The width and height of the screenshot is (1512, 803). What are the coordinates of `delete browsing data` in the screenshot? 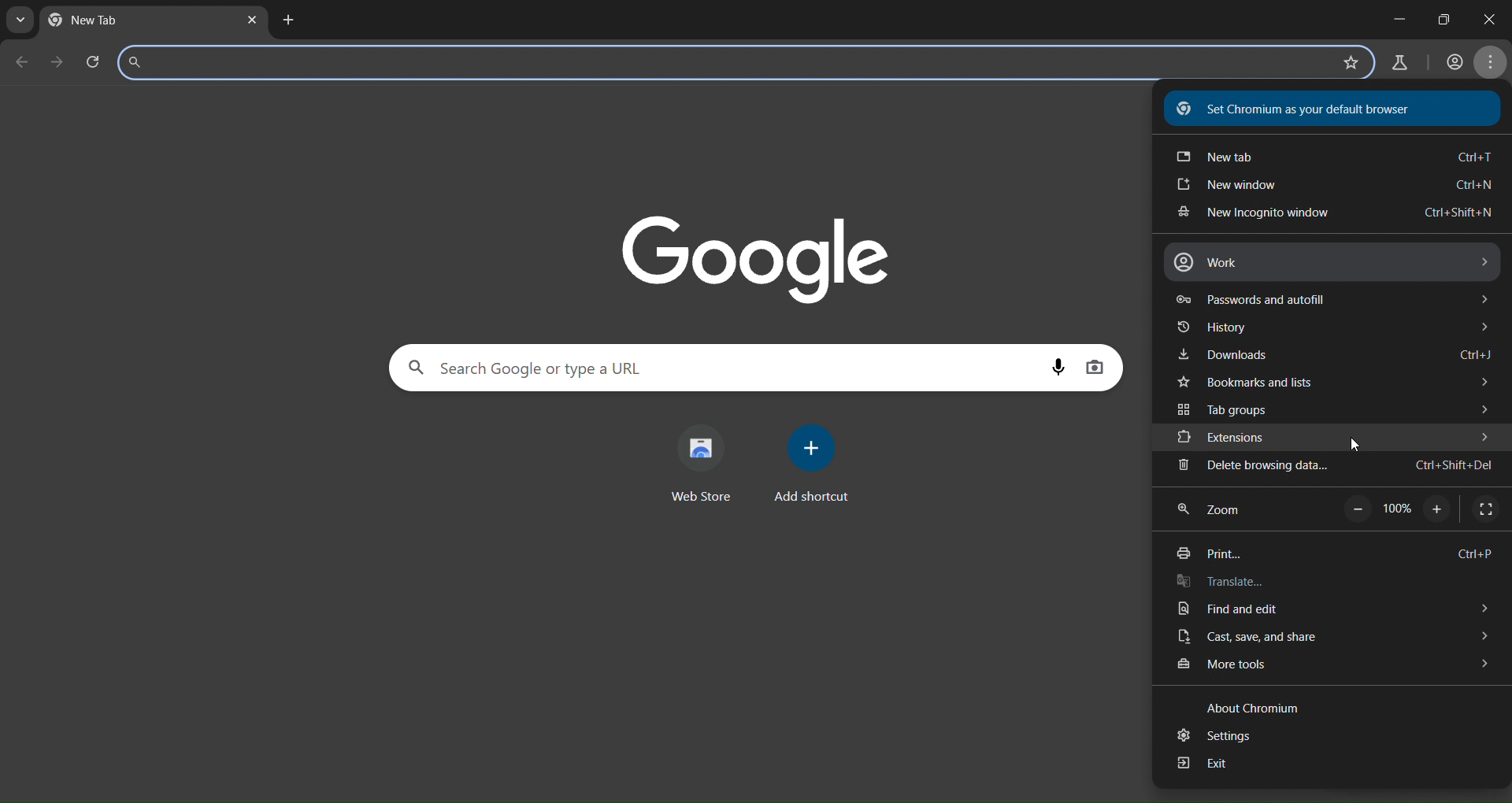 It's located at (1331, 465).